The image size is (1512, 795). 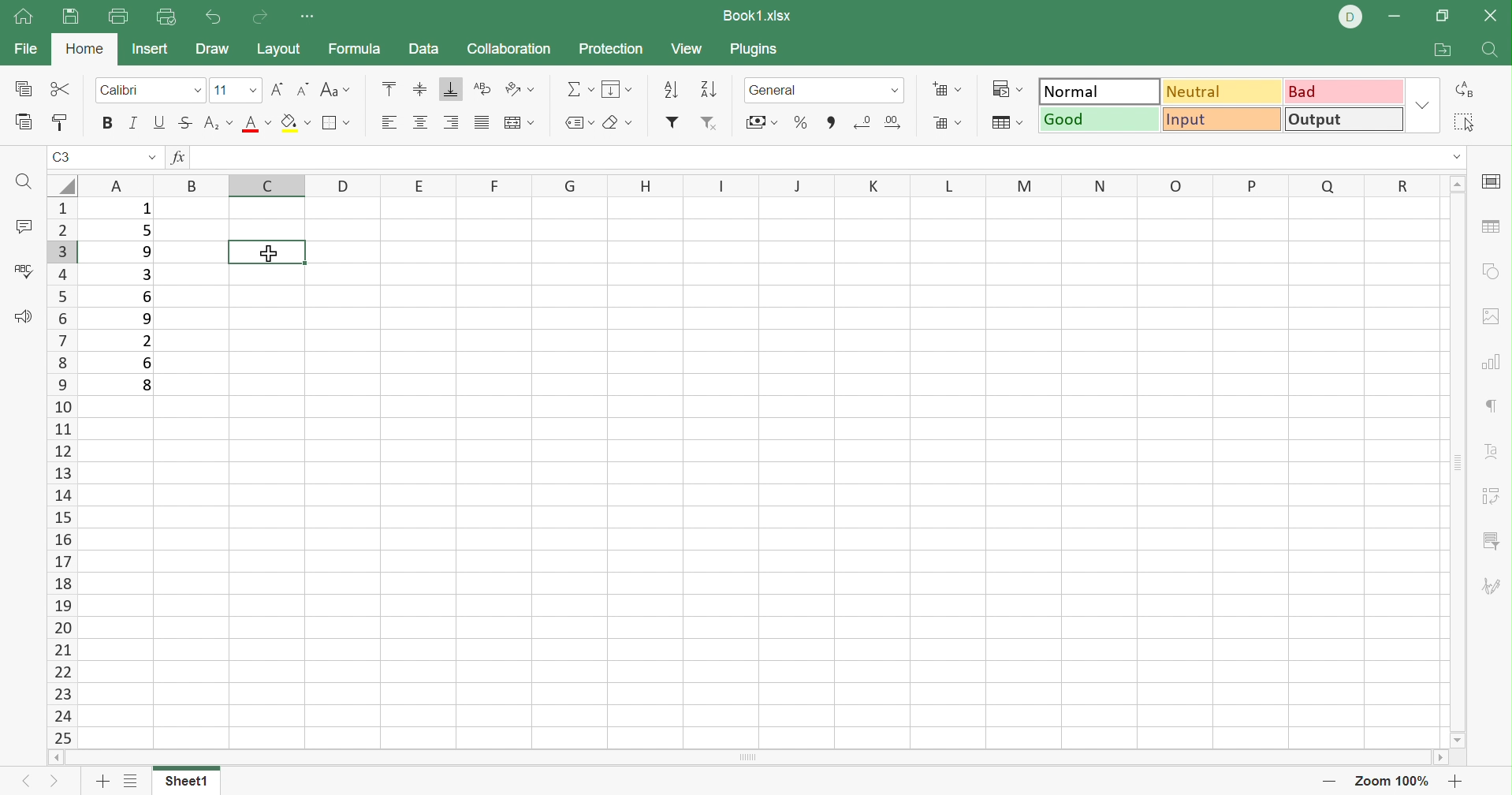 I want to click on Scroll Up, so click(x=1458, y=185).